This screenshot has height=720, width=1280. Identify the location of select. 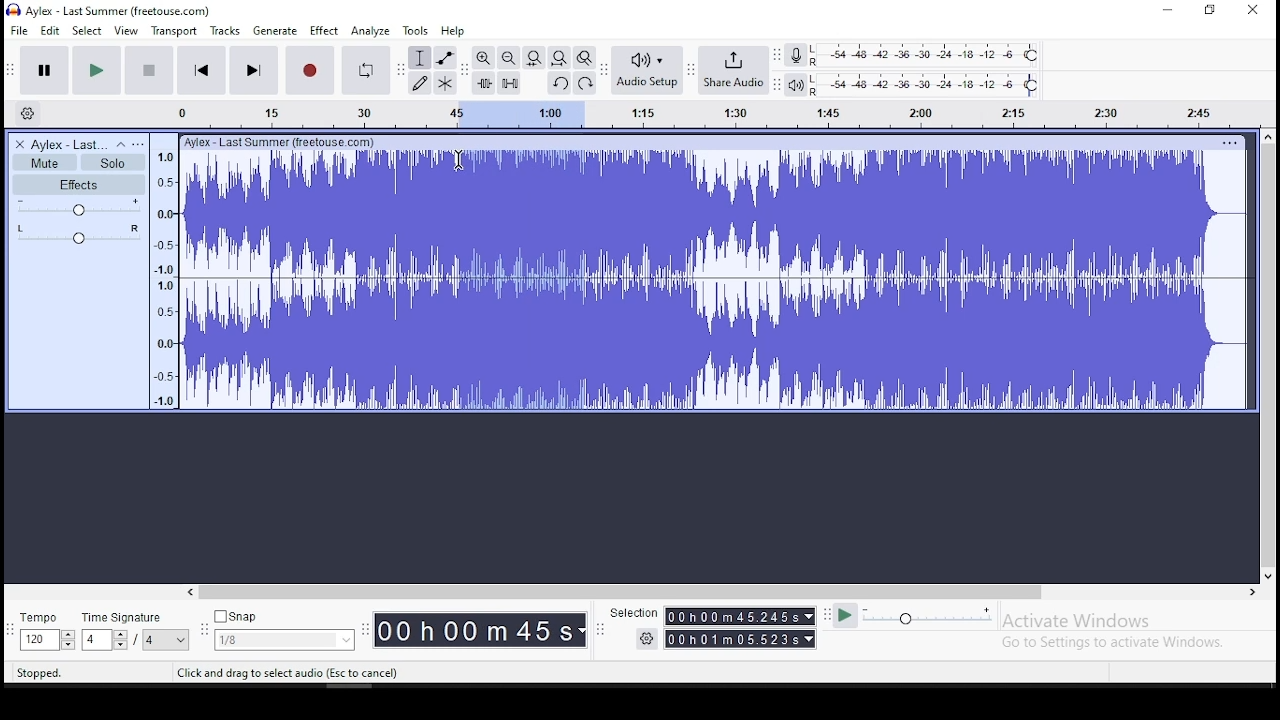
(88, 31).